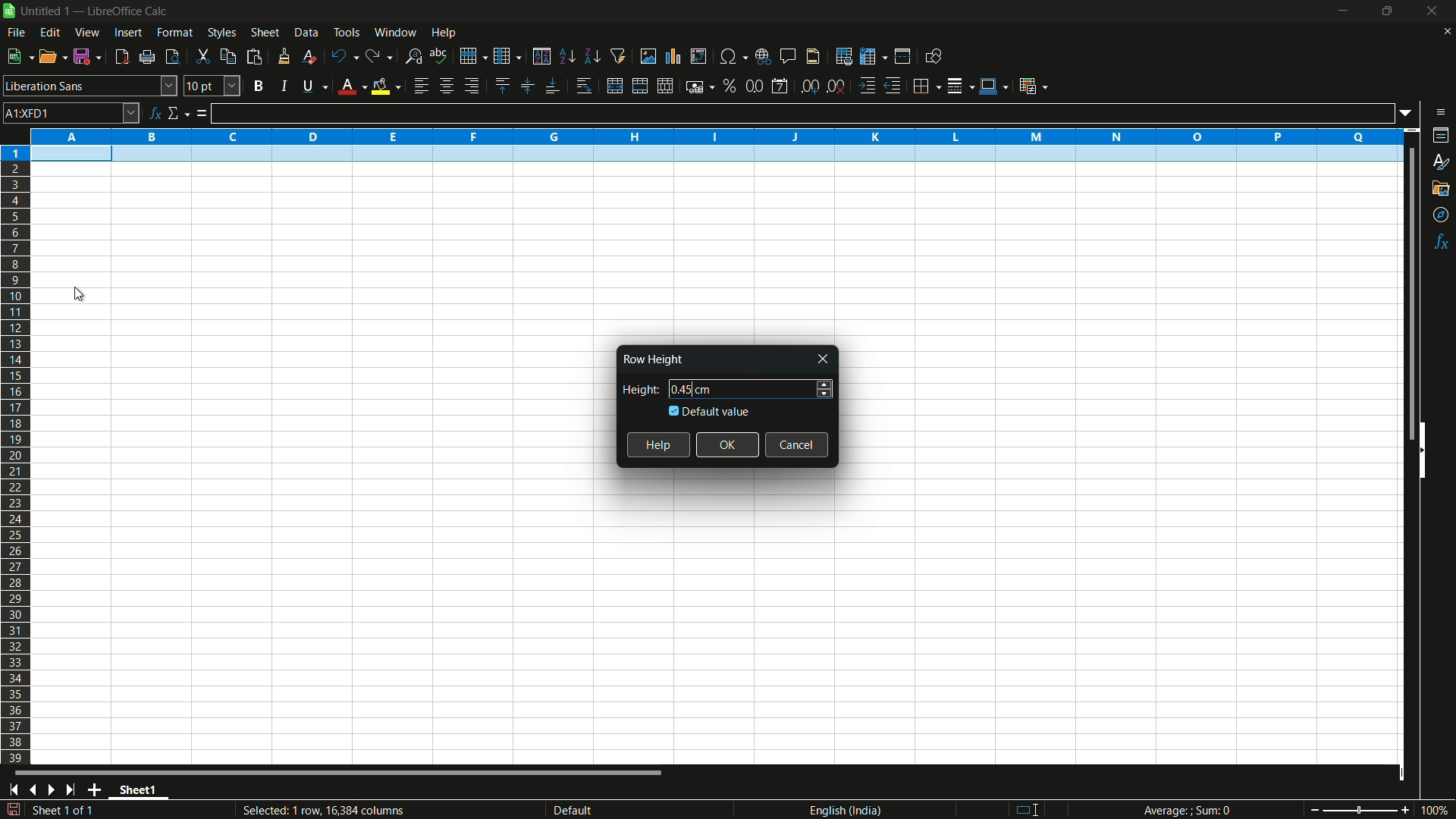  Describe the element at coordinates (18, 56) in the screenshot. I see `new file` at that location.